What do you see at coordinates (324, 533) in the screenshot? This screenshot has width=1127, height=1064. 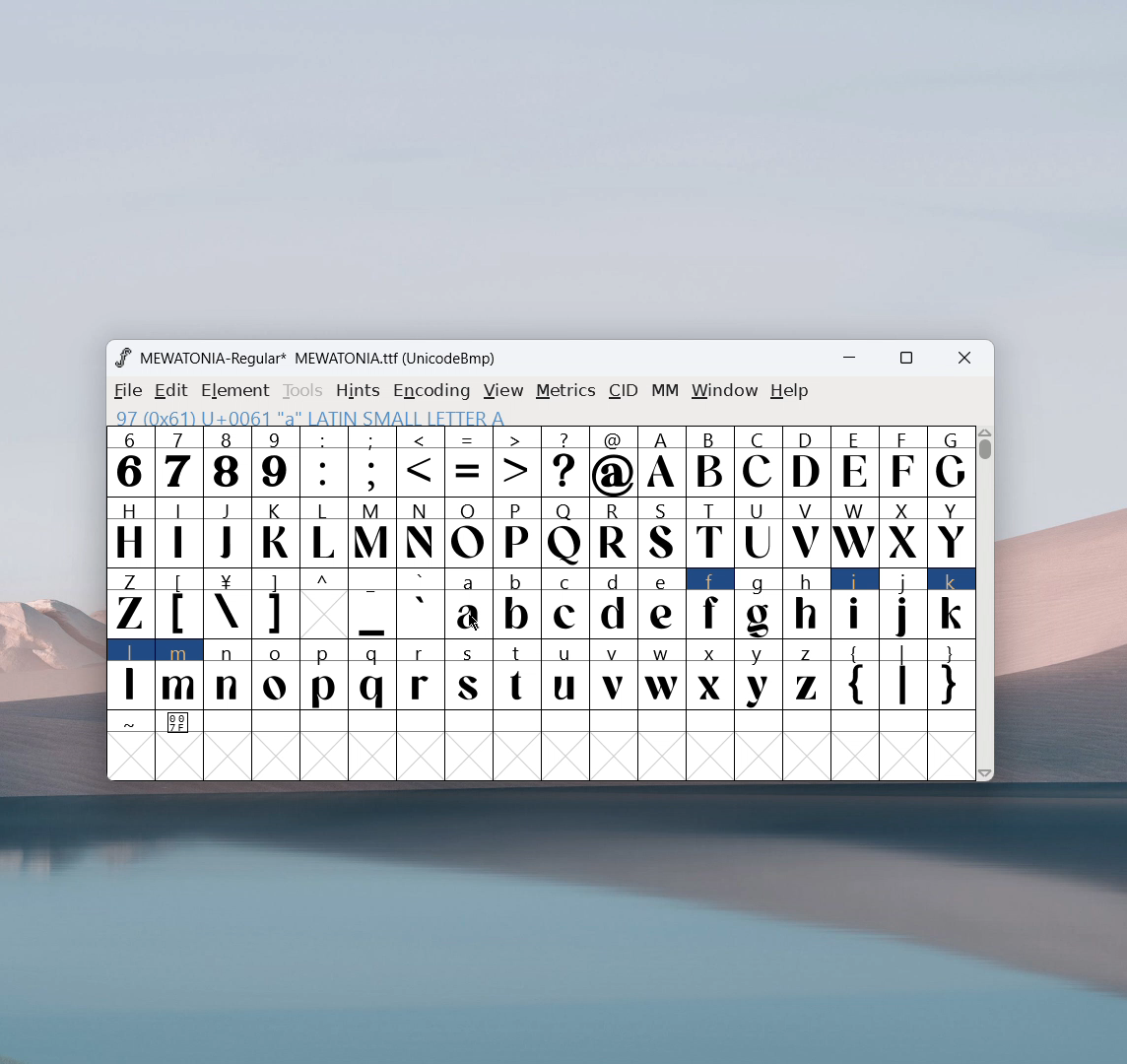 I see `charachters` at bounding box center [324, 533].